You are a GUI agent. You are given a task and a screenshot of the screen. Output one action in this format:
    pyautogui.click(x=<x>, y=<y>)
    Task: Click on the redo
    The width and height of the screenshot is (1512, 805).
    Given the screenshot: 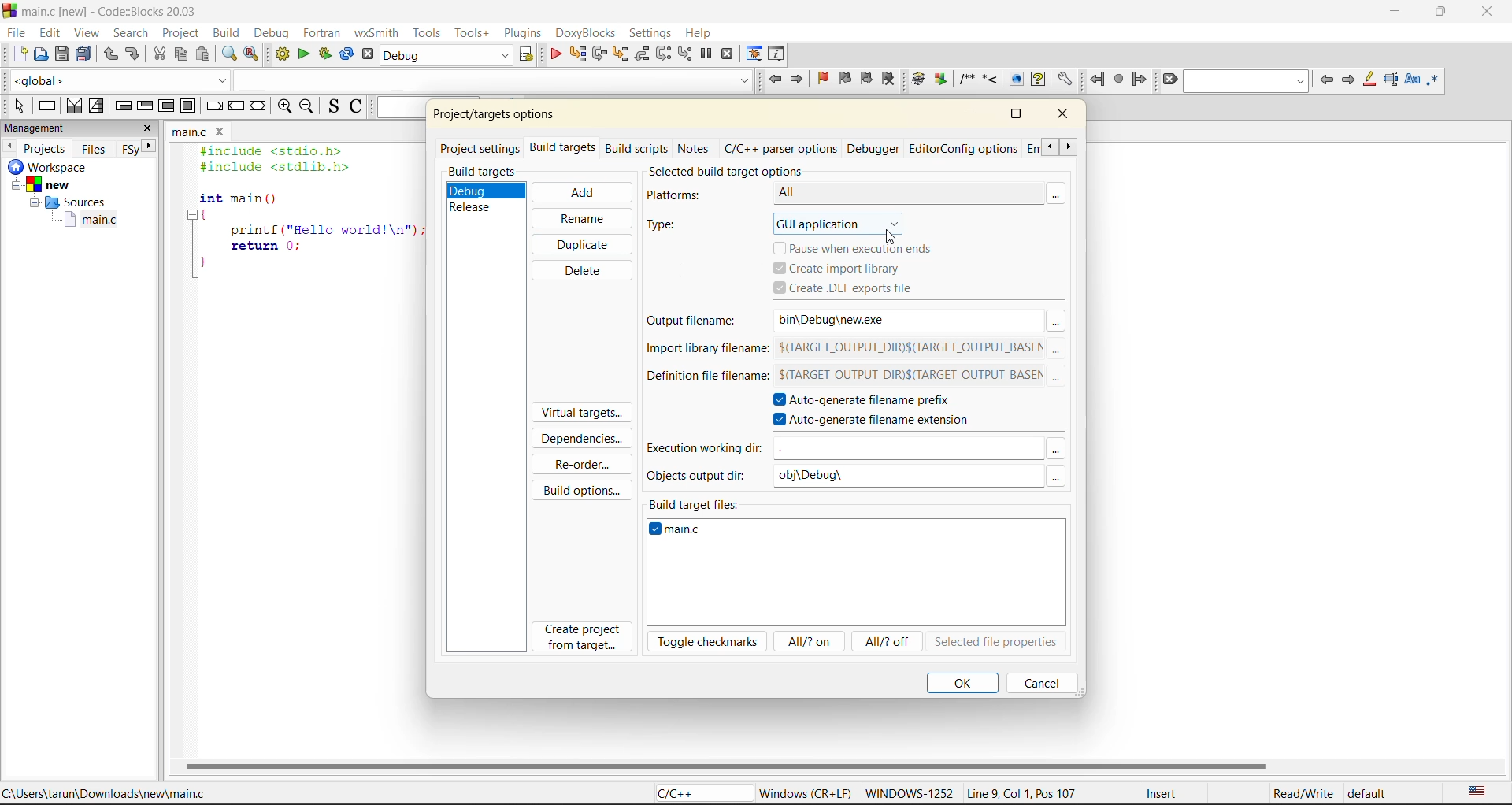 What is the action you would take?
    pyautogui.click(x=135, y=54)
    